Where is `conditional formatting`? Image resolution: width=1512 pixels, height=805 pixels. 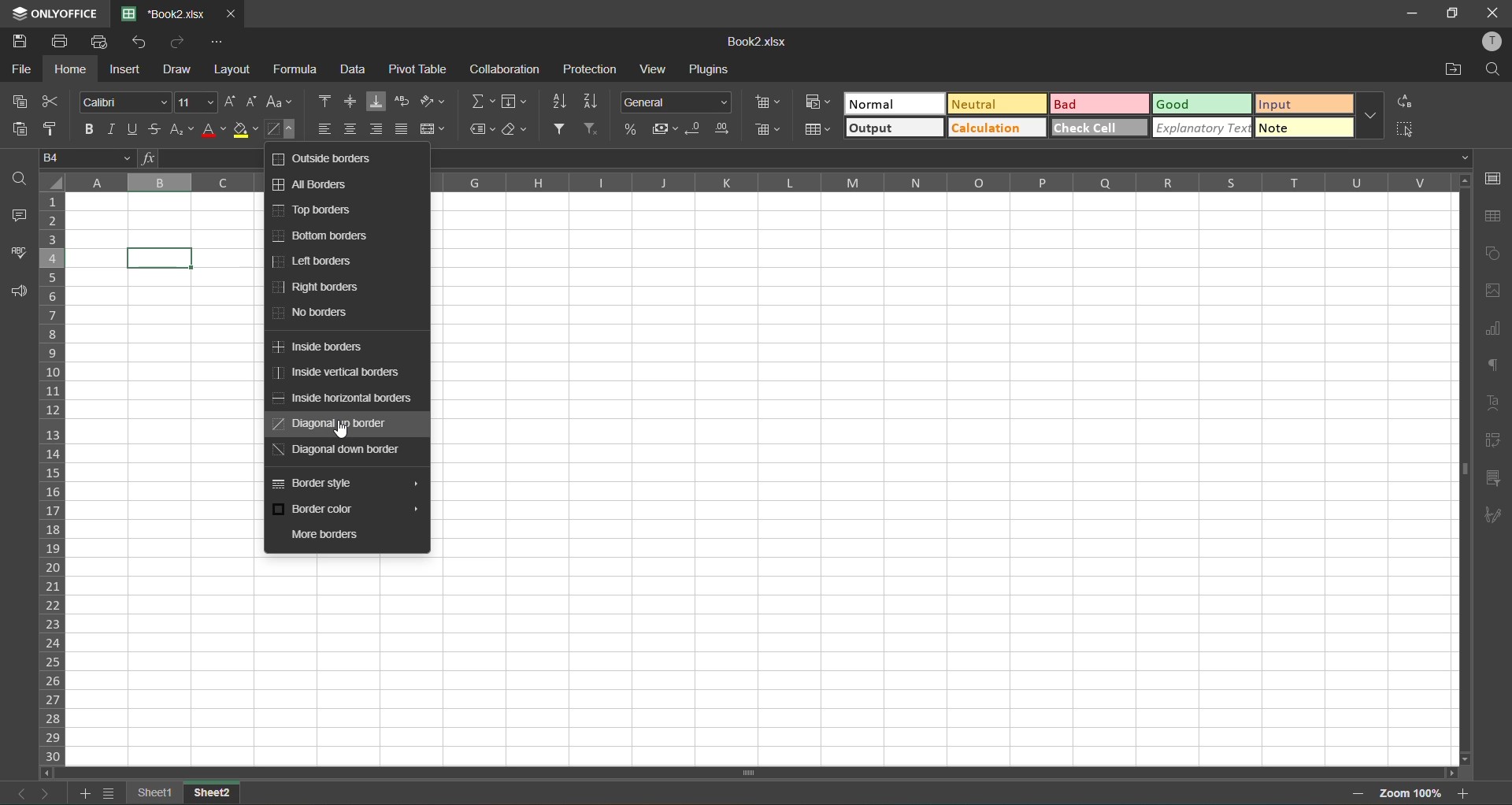 conditional formatting is located at coordinates (821, 104).